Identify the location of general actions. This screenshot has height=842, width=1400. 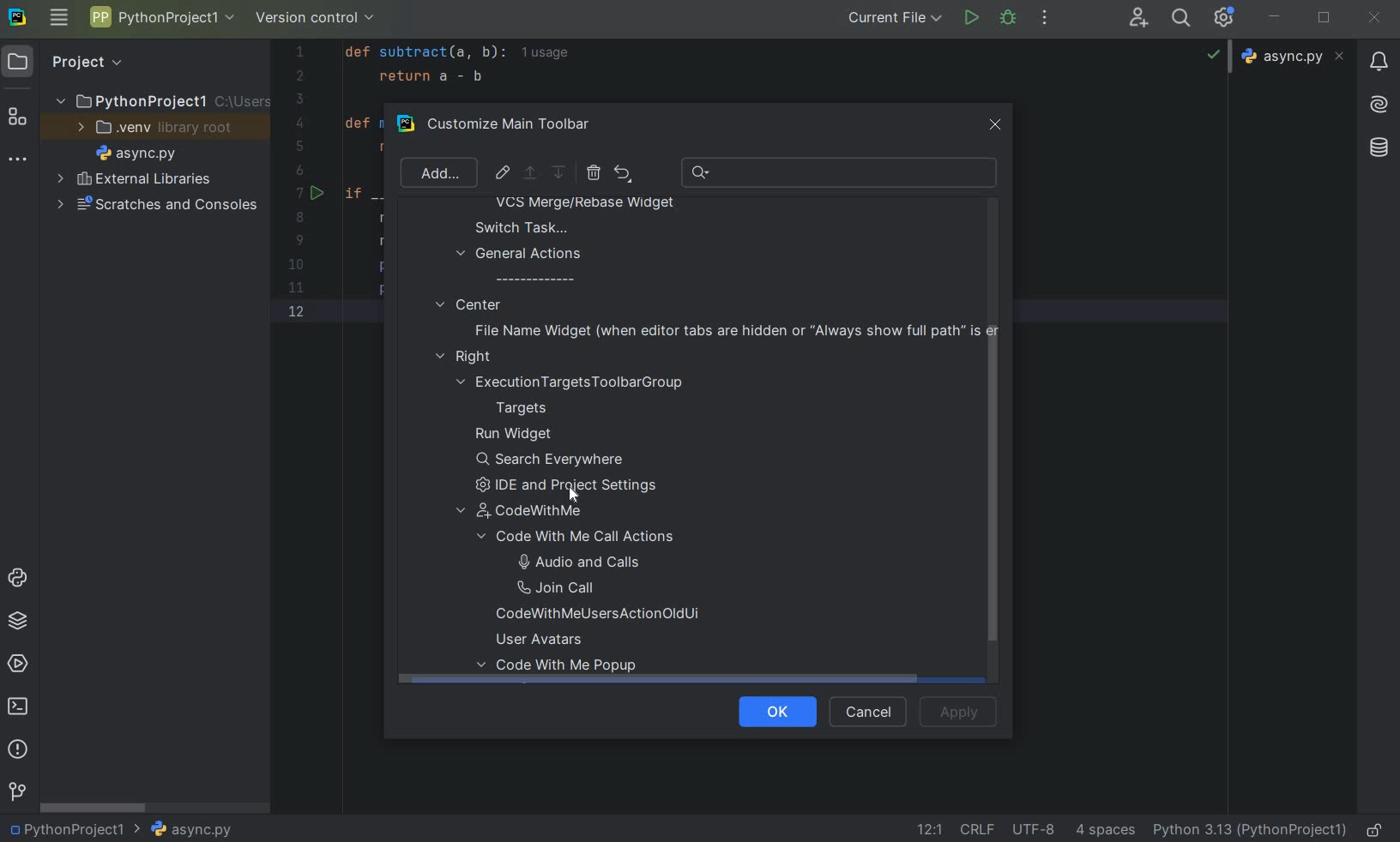
(520, 266).